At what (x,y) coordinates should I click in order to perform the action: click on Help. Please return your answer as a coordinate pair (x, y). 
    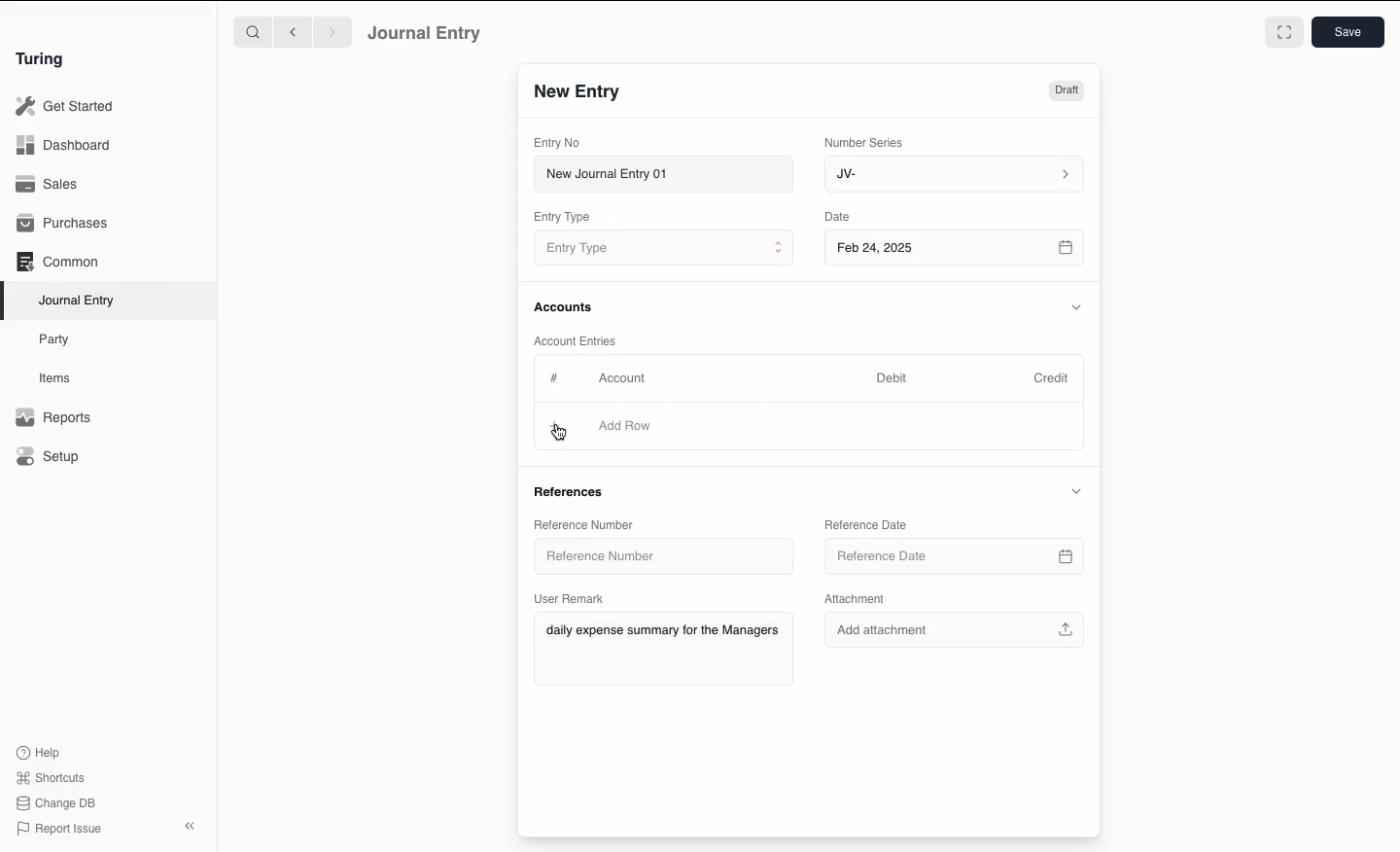
    Looking at the image, I should click on (39, 753).